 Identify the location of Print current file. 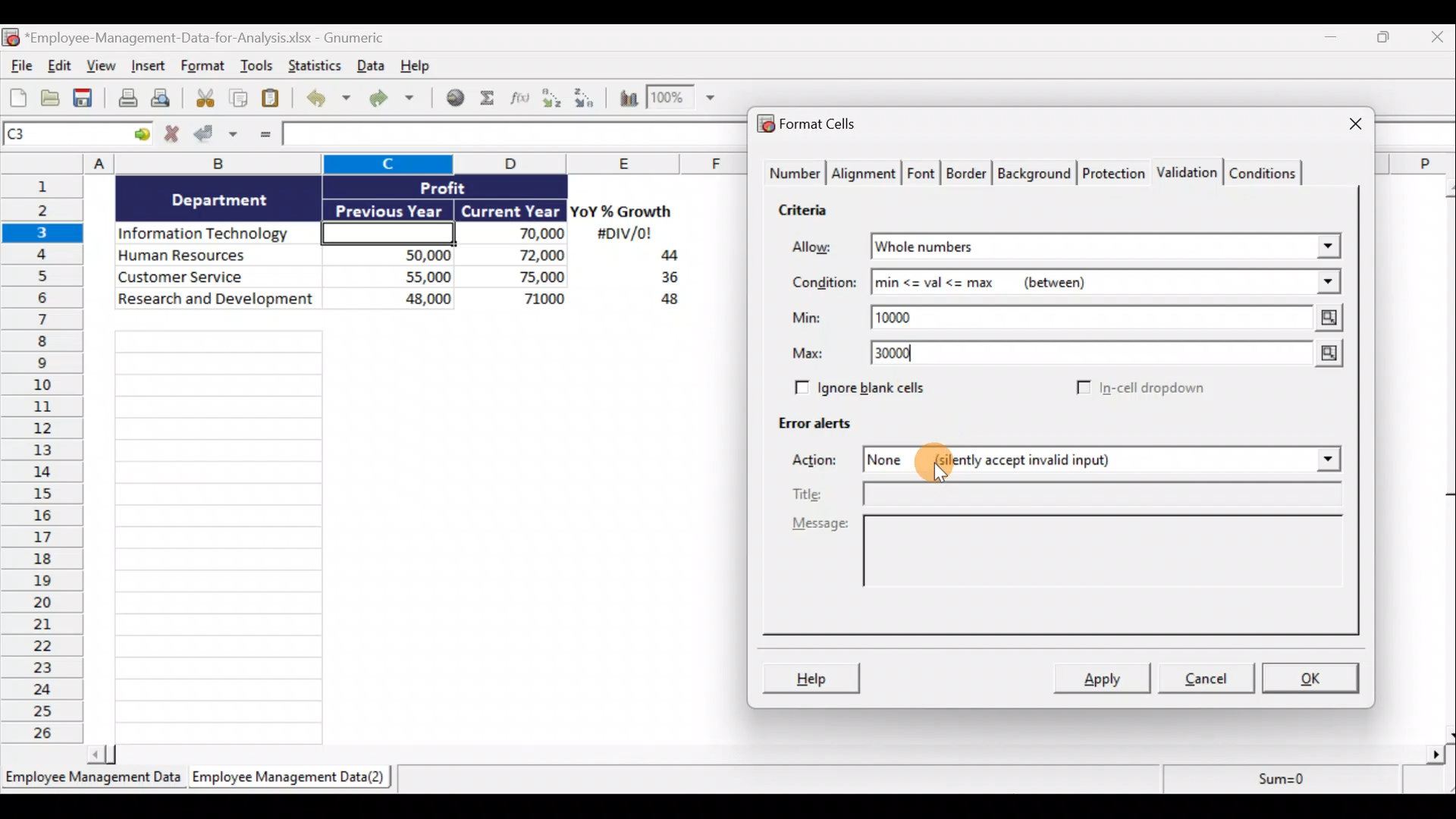
(125, 99).